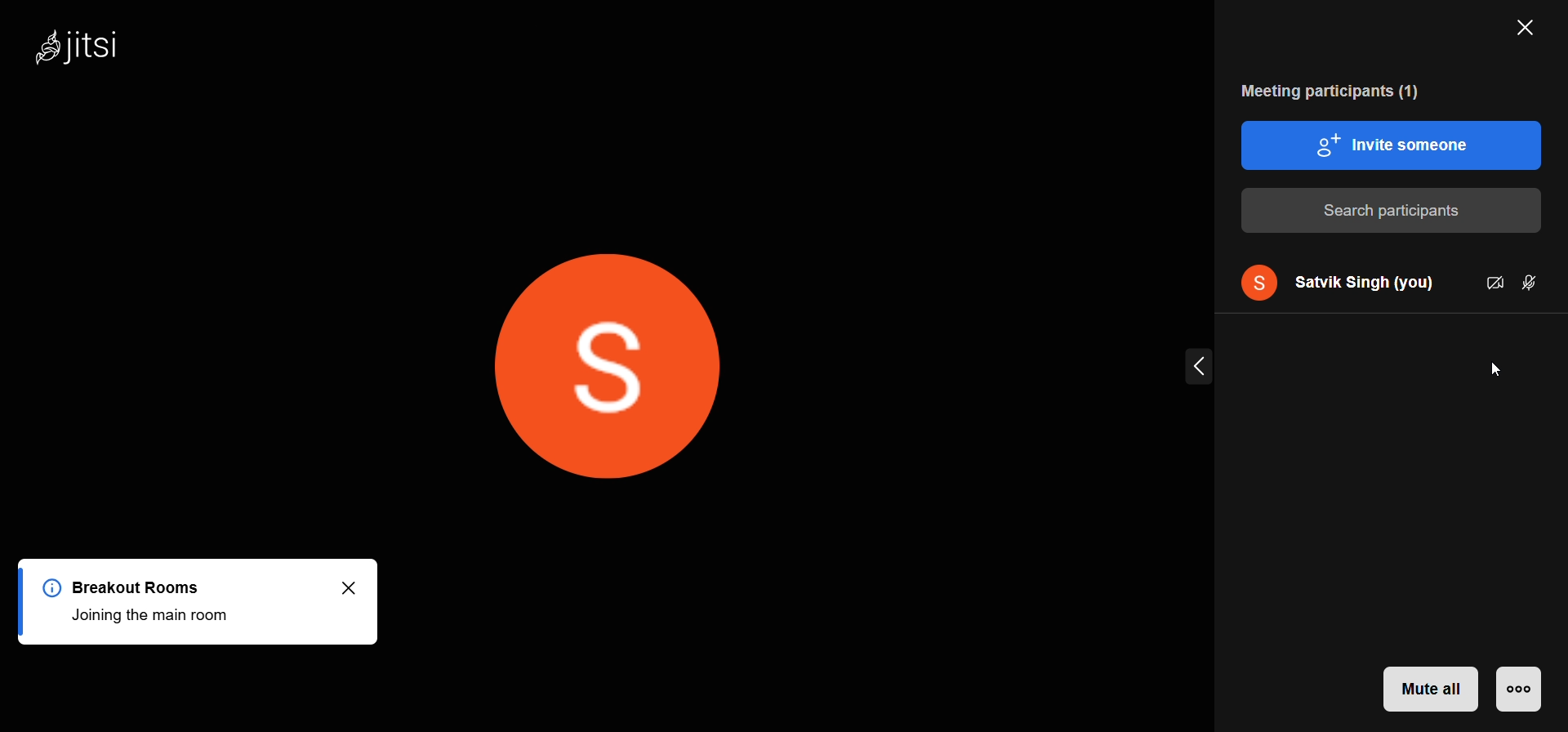 This screenshot has height=732, width=1568. Describe the element at coordinates (1532, 25) in the screenshot. I see `close` at that location.